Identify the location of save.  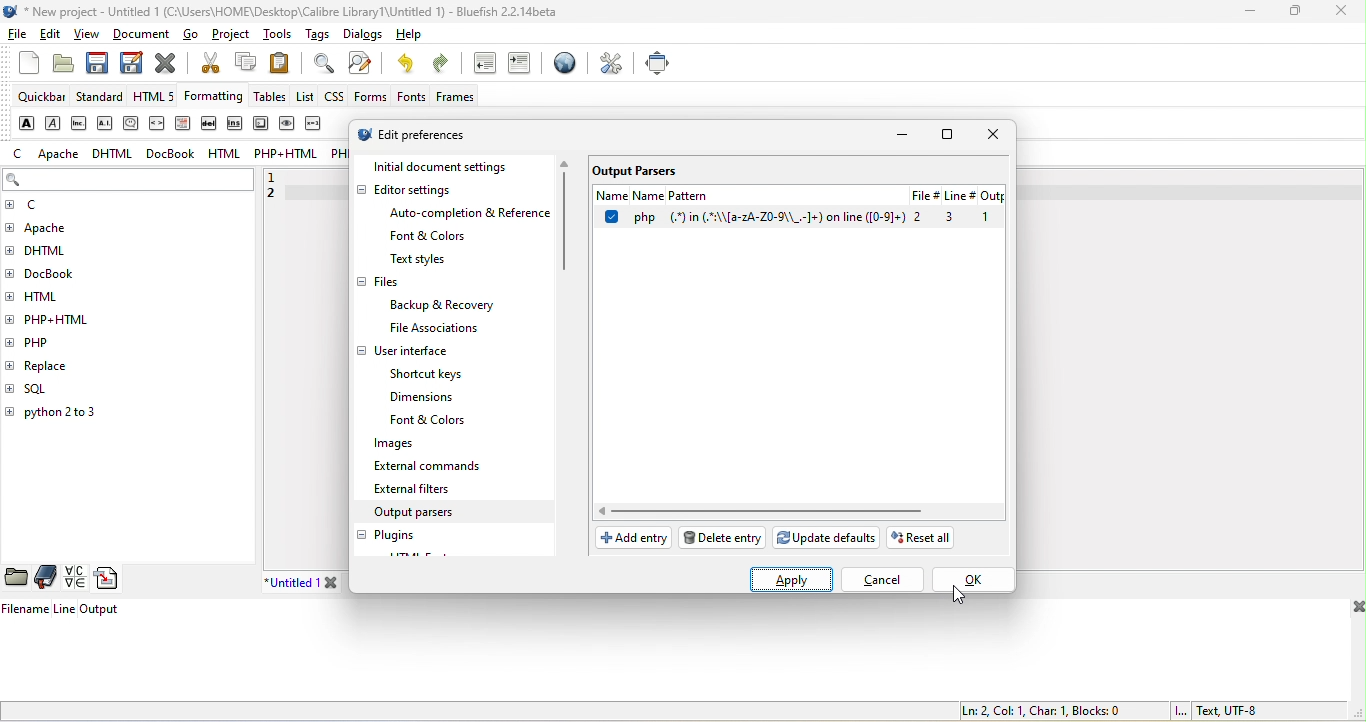
(94, 63).